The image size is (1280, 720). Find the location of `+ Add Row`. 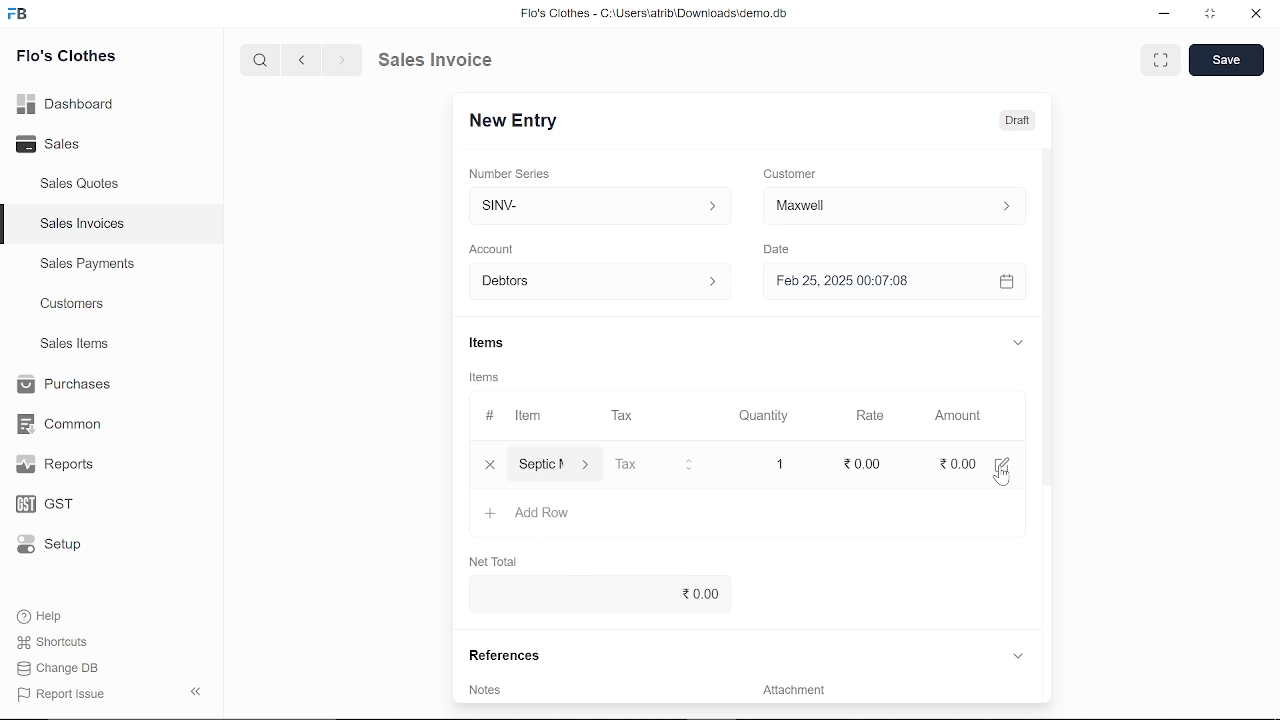

+ Add Row is located at coordinates (482, 514).